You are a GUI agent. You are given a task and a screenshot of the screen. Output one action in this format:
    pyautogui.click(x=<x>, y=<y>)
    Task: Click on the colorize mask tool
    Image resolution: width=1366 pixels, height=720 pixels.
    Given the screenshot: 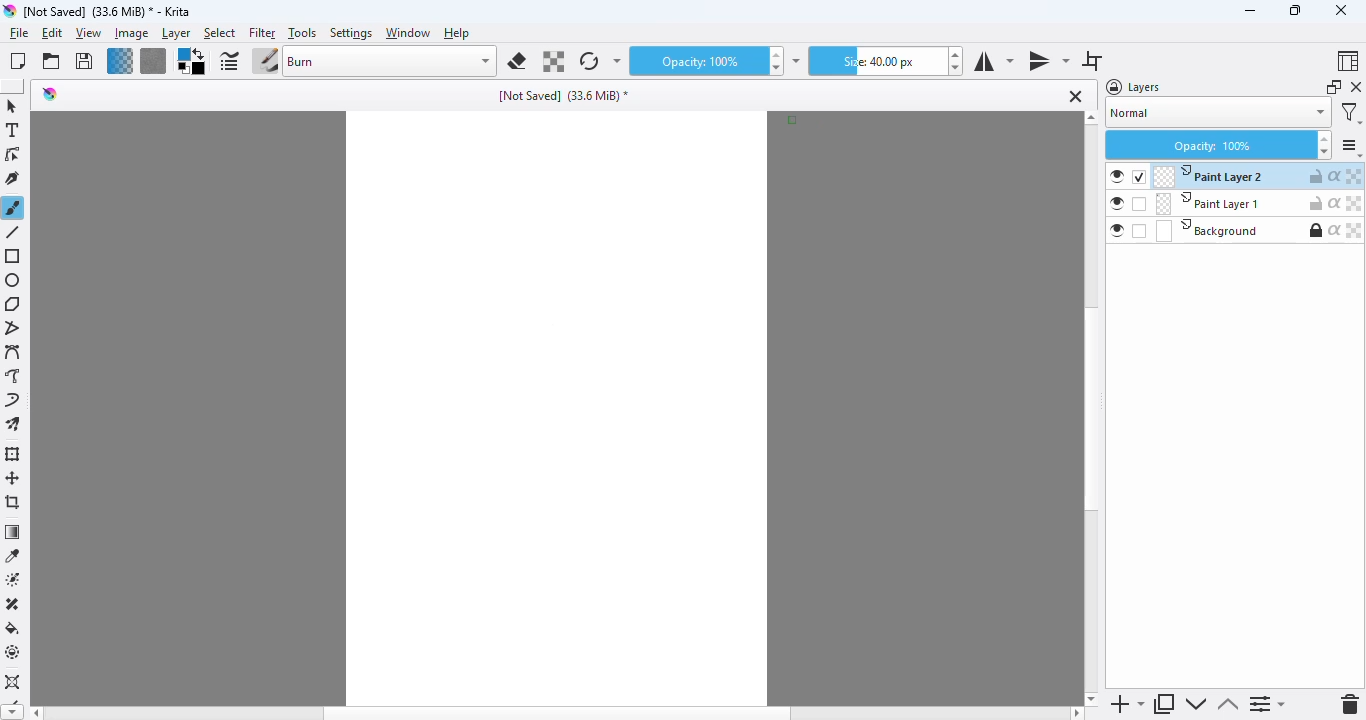 What is the action you would take?
    pyautogui.click(x=15, y=579)
    